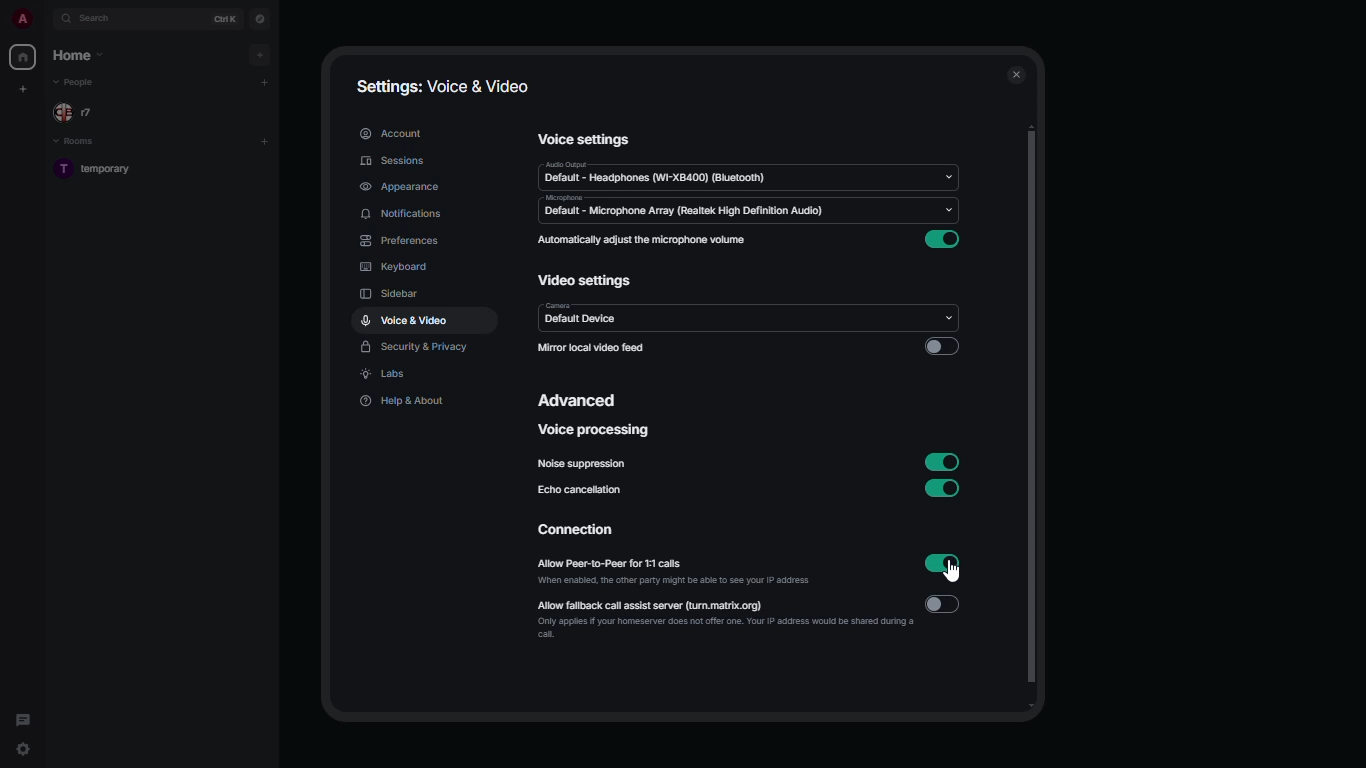 This screenshot has width=1366, height=768. Describe the element at coordinates (100, 20) in the screenshot. I see `search` at that location.